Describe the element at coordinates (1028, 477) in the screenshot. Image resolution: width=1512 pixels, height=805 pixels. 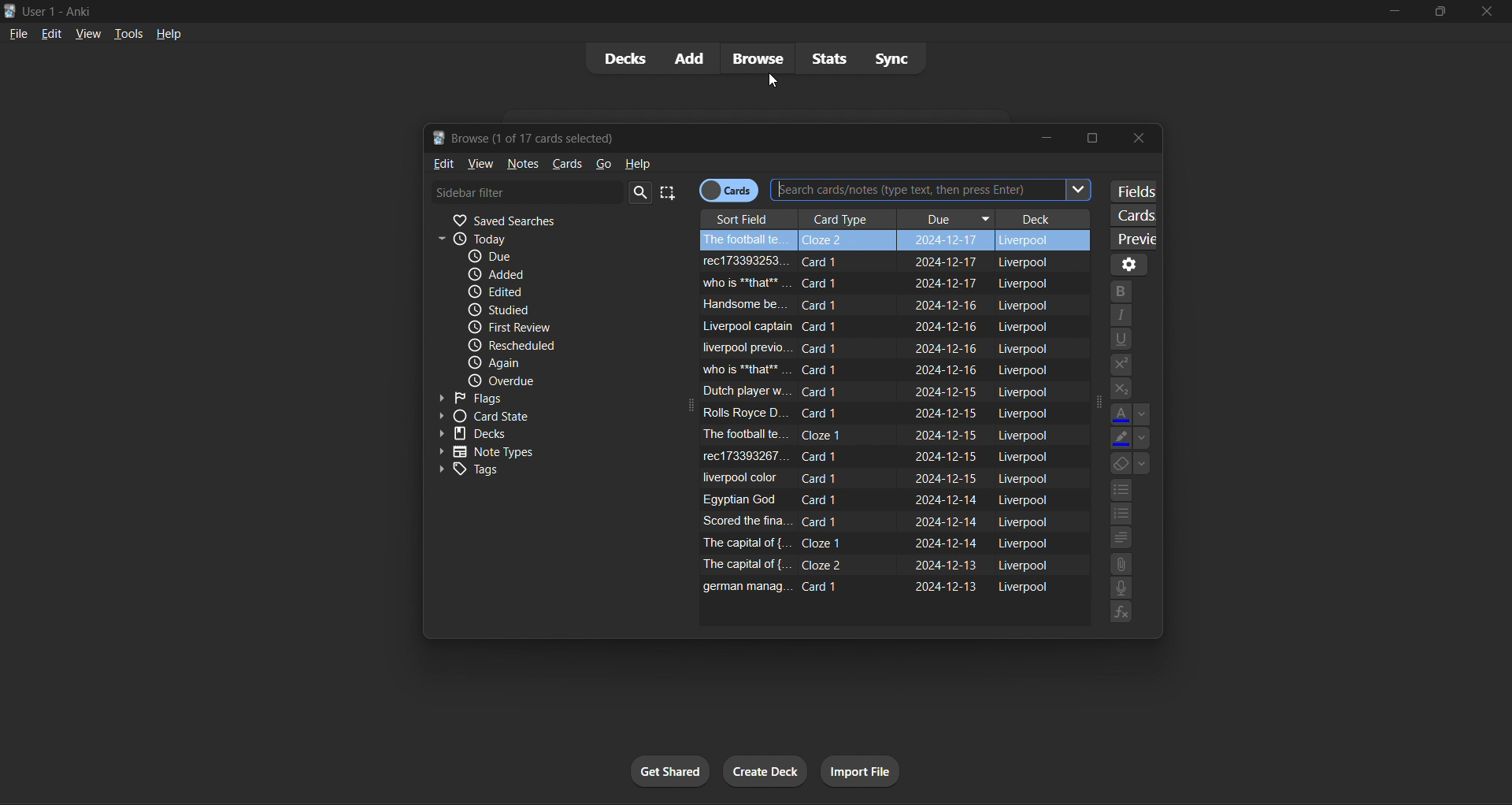
I see `liverpool` at that location.